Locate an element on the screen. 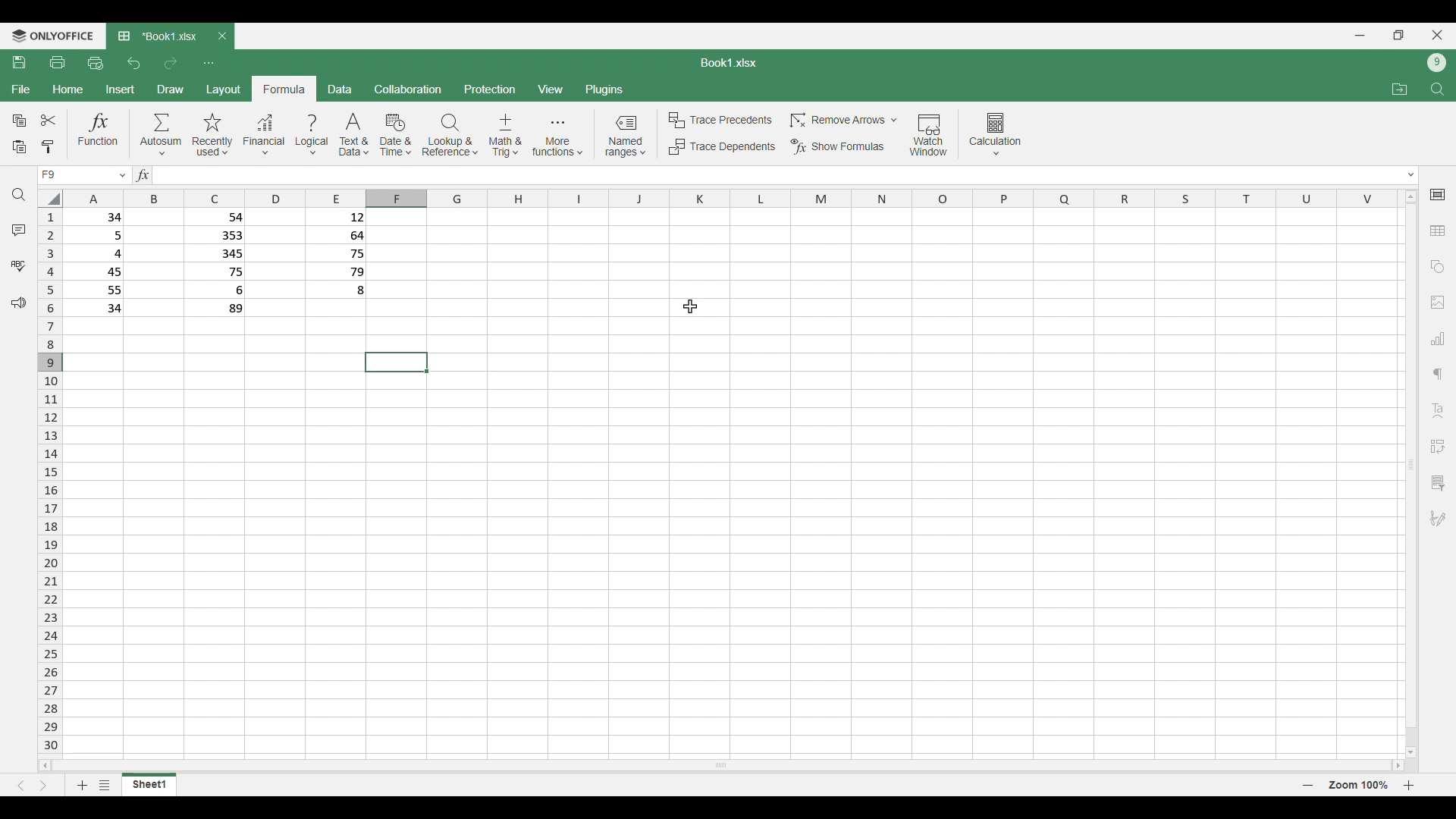  Logical is located at coordinates (312, 135).